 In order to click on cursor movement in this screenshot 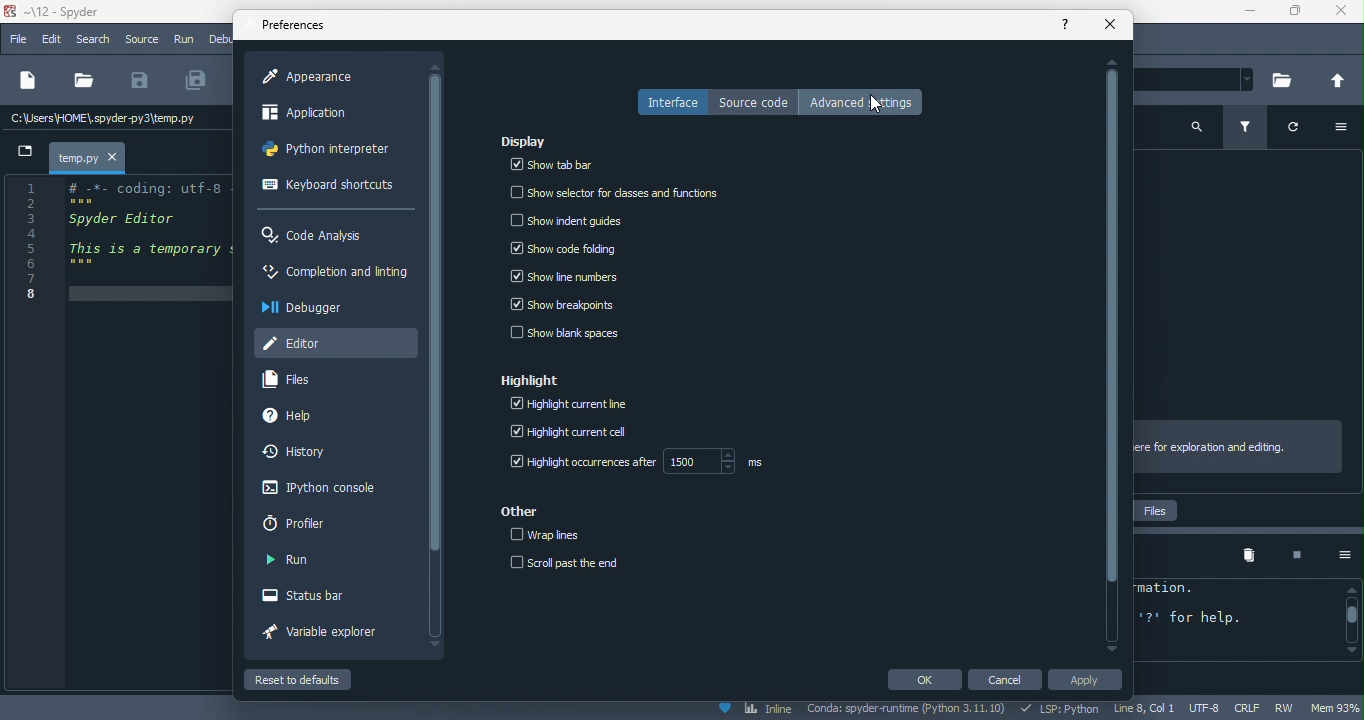, I will do `click(879, 106)`.